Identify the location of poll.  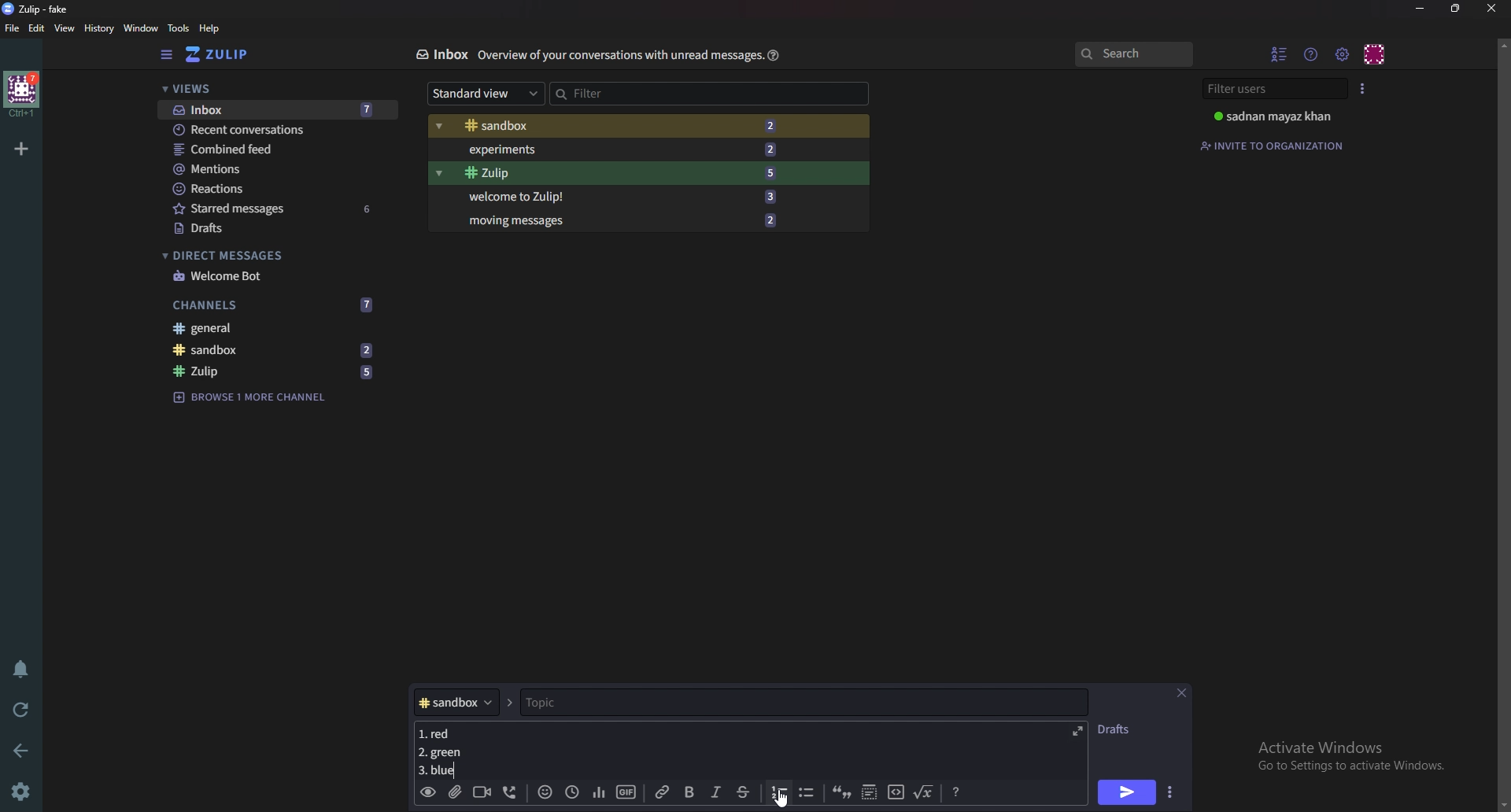
(596, 792).